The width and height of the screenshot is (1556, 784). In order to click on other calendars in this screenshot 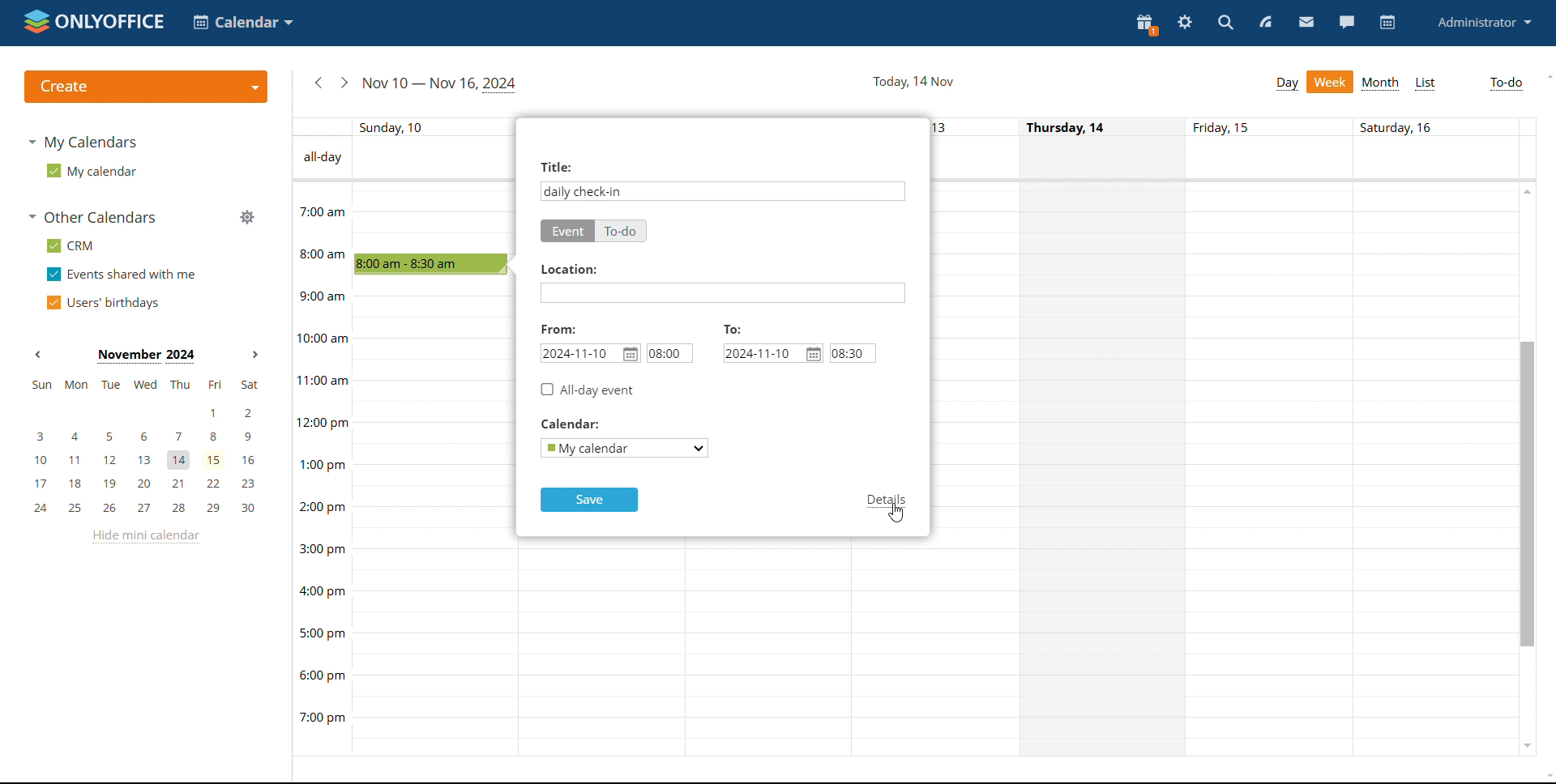, I will do `click(91, 219)`.